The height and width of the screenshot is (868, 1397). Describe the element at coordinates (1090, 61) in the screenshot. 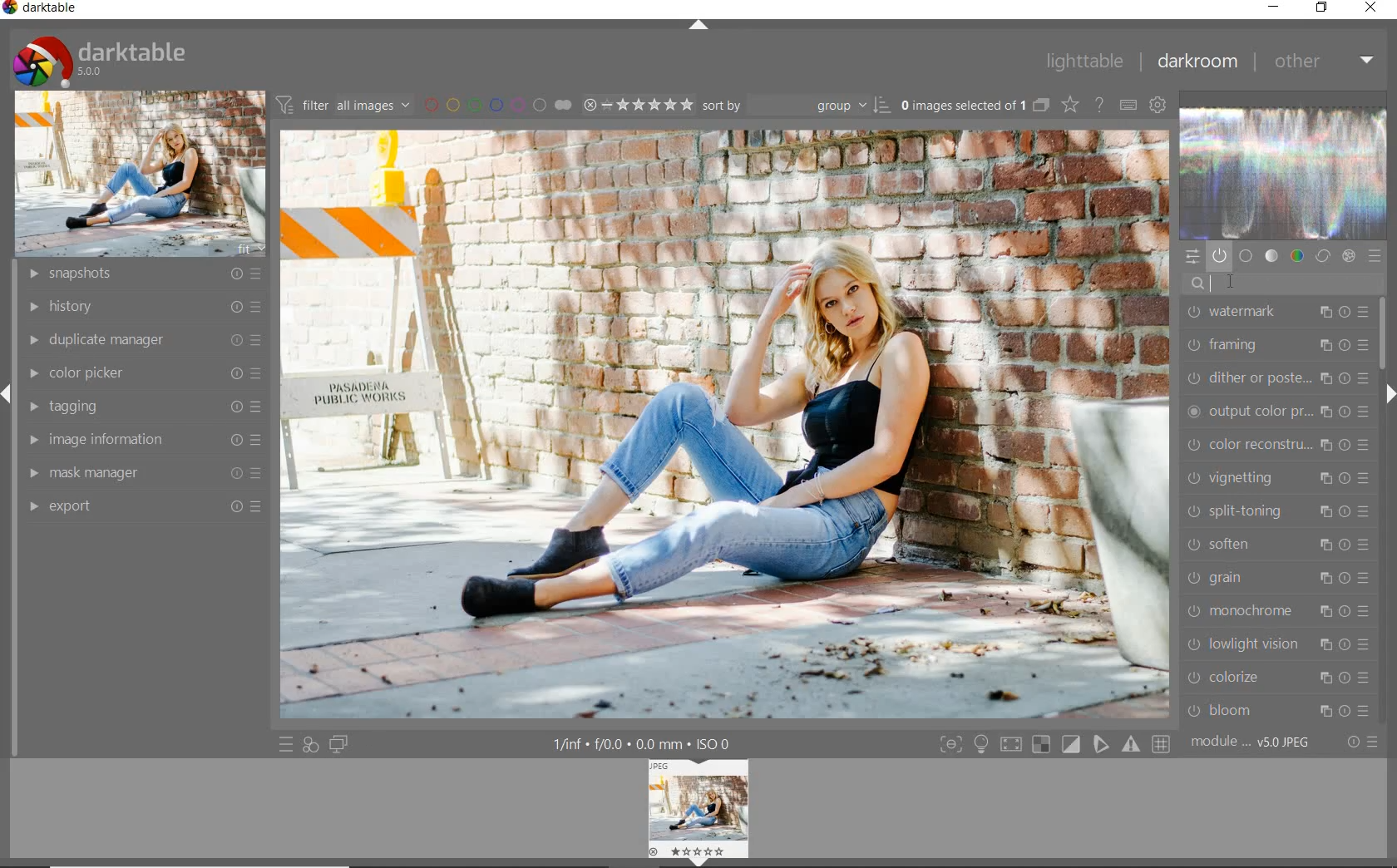

I see `lighttable` at that location.